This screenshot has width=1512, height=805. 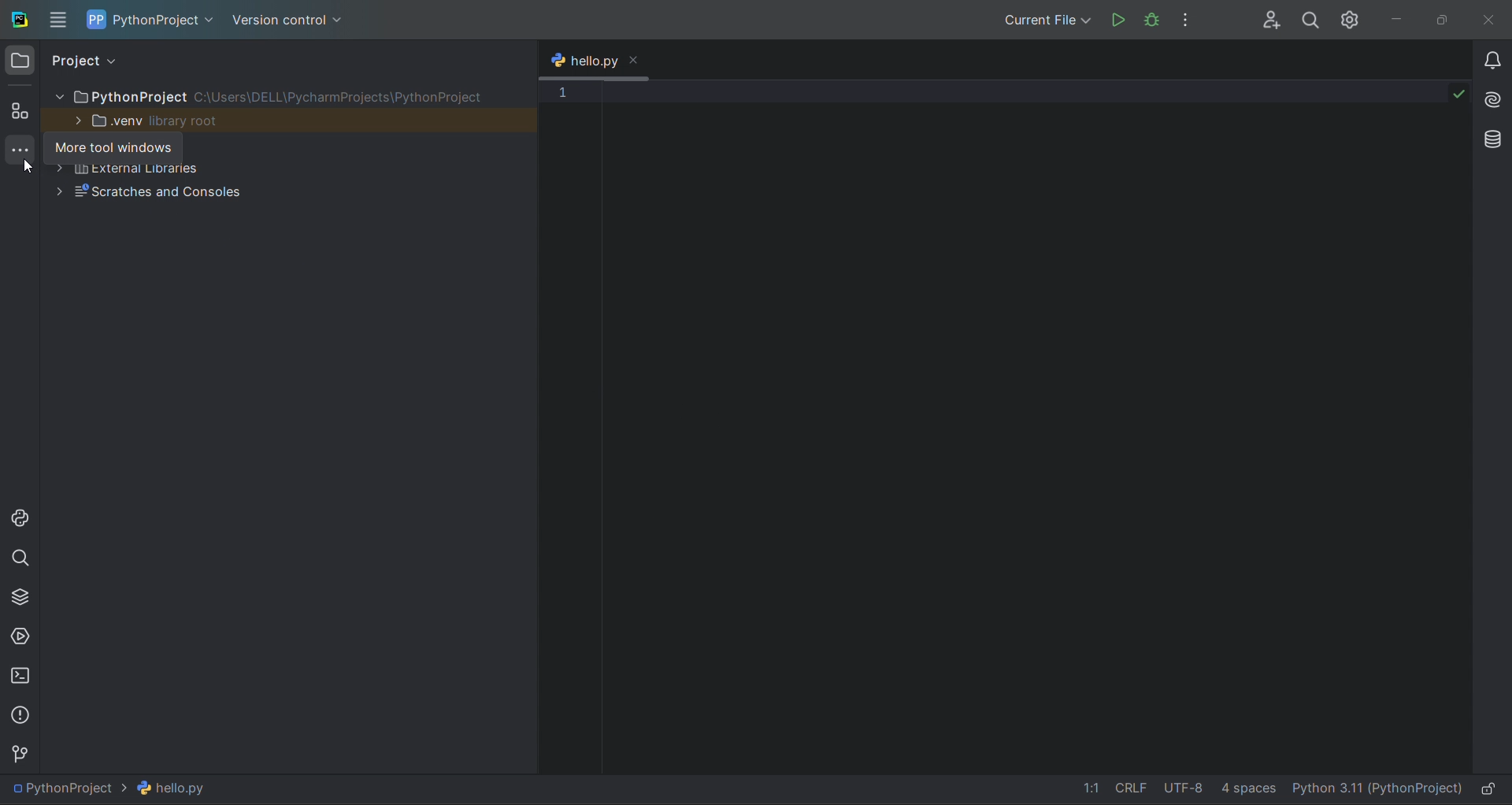 I want to click on more tools window, so click(x=20, y=152).